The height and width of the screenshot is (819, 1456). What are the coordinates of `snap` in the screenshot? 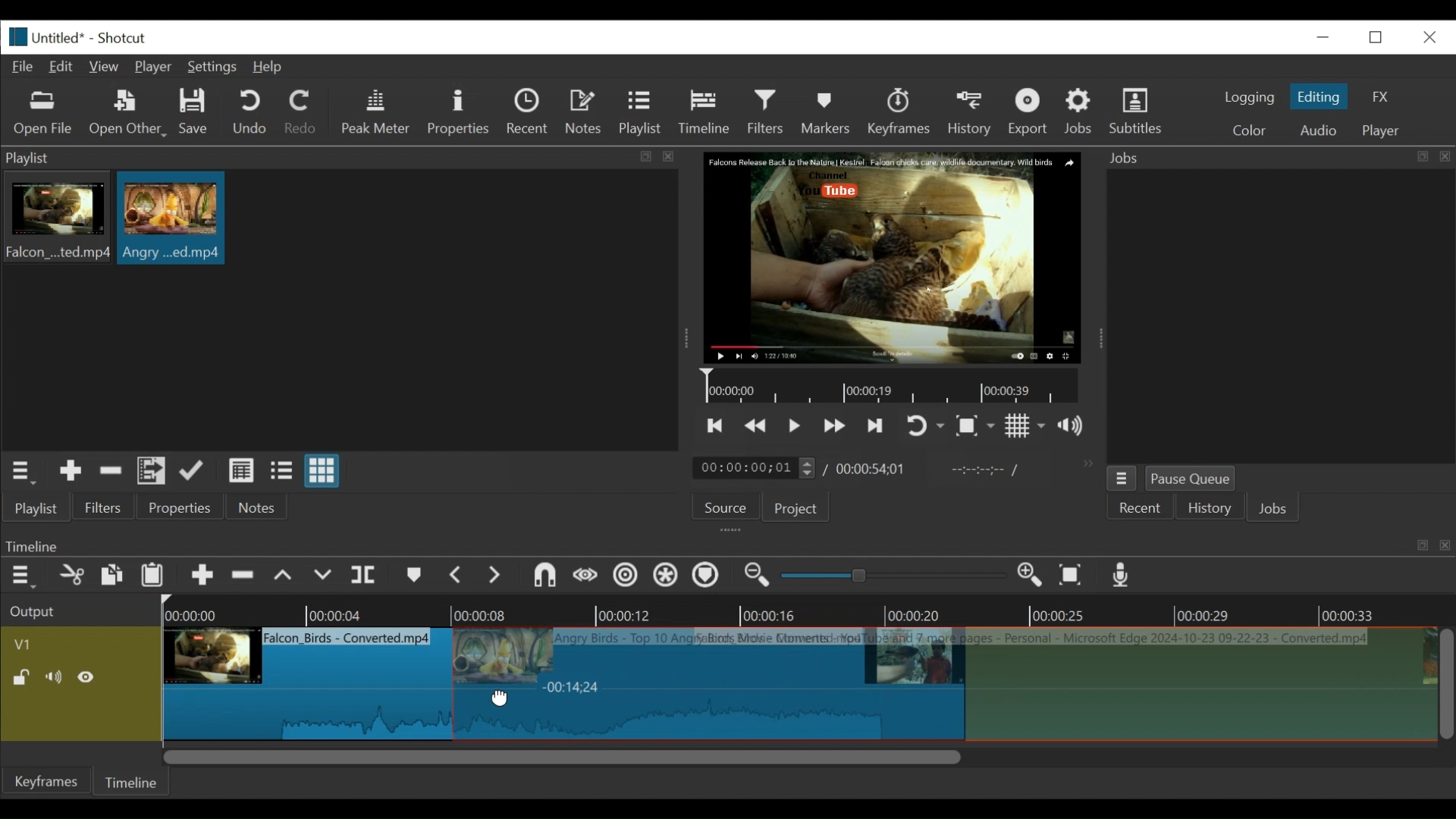 It's located at (547, 577).